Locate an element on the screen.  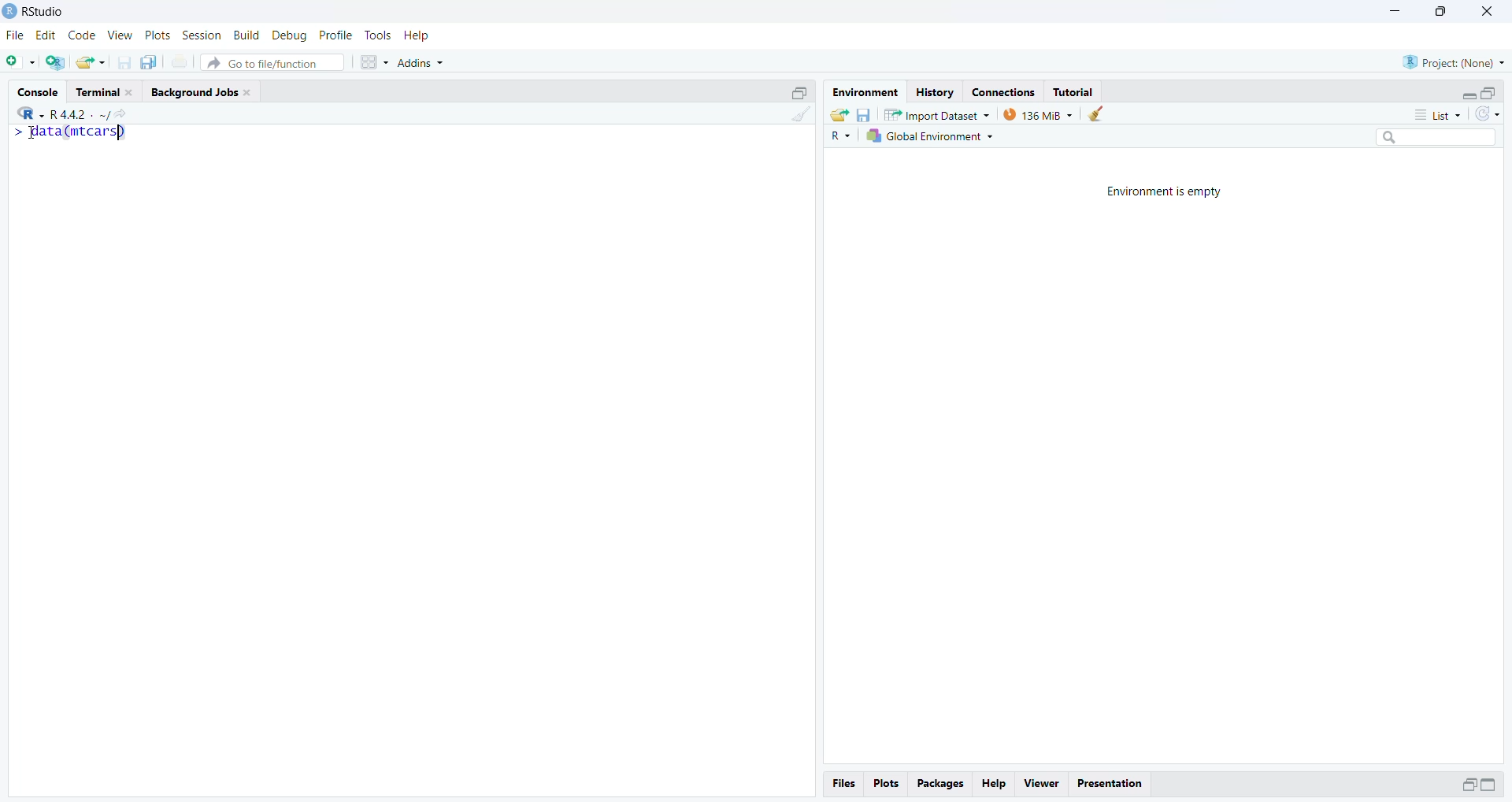
Import Dataset is located at coordinates (937, 114).